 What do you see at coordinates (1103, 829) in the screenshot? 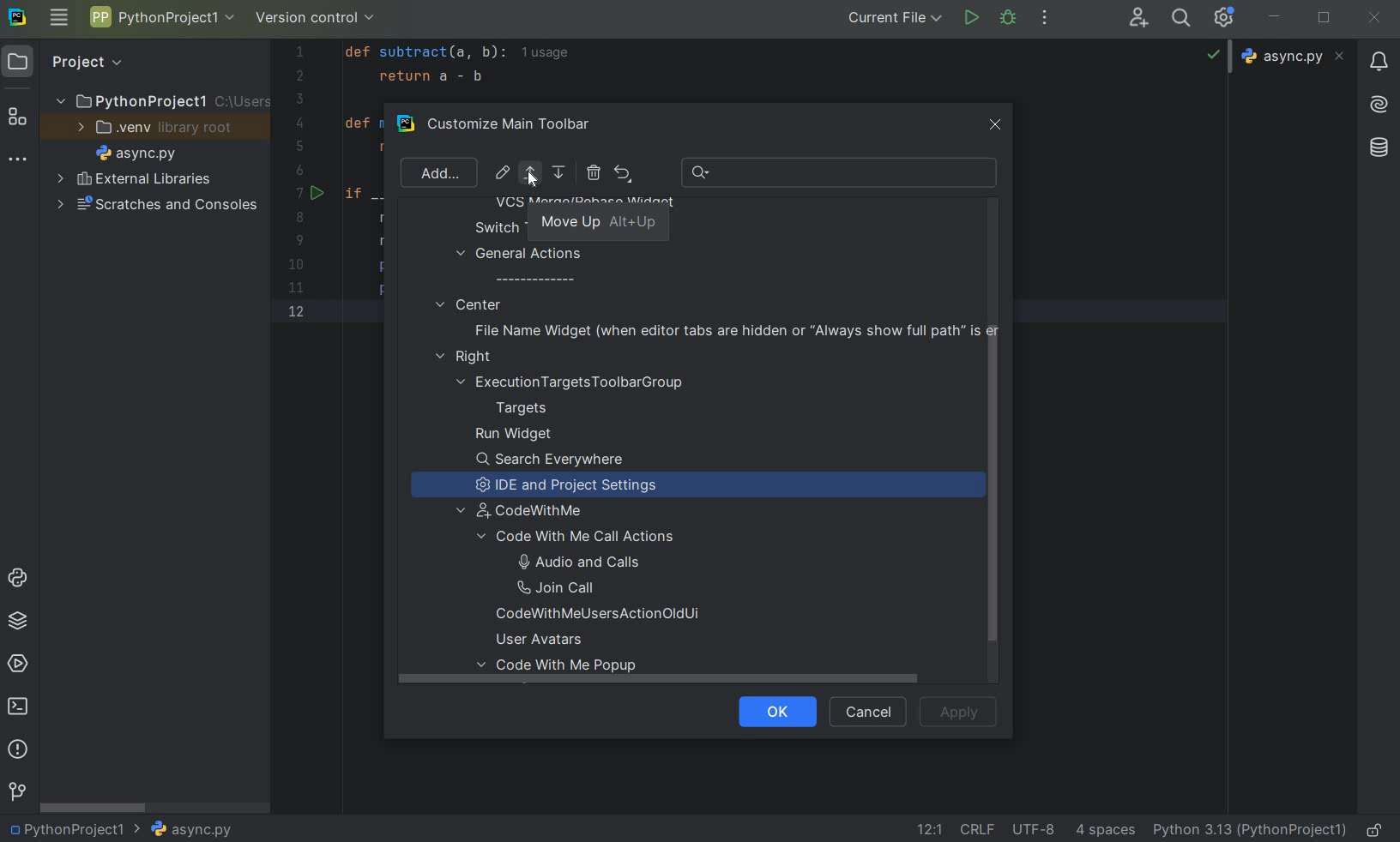
I see `INDENT` at bounding box center [1103, 829].